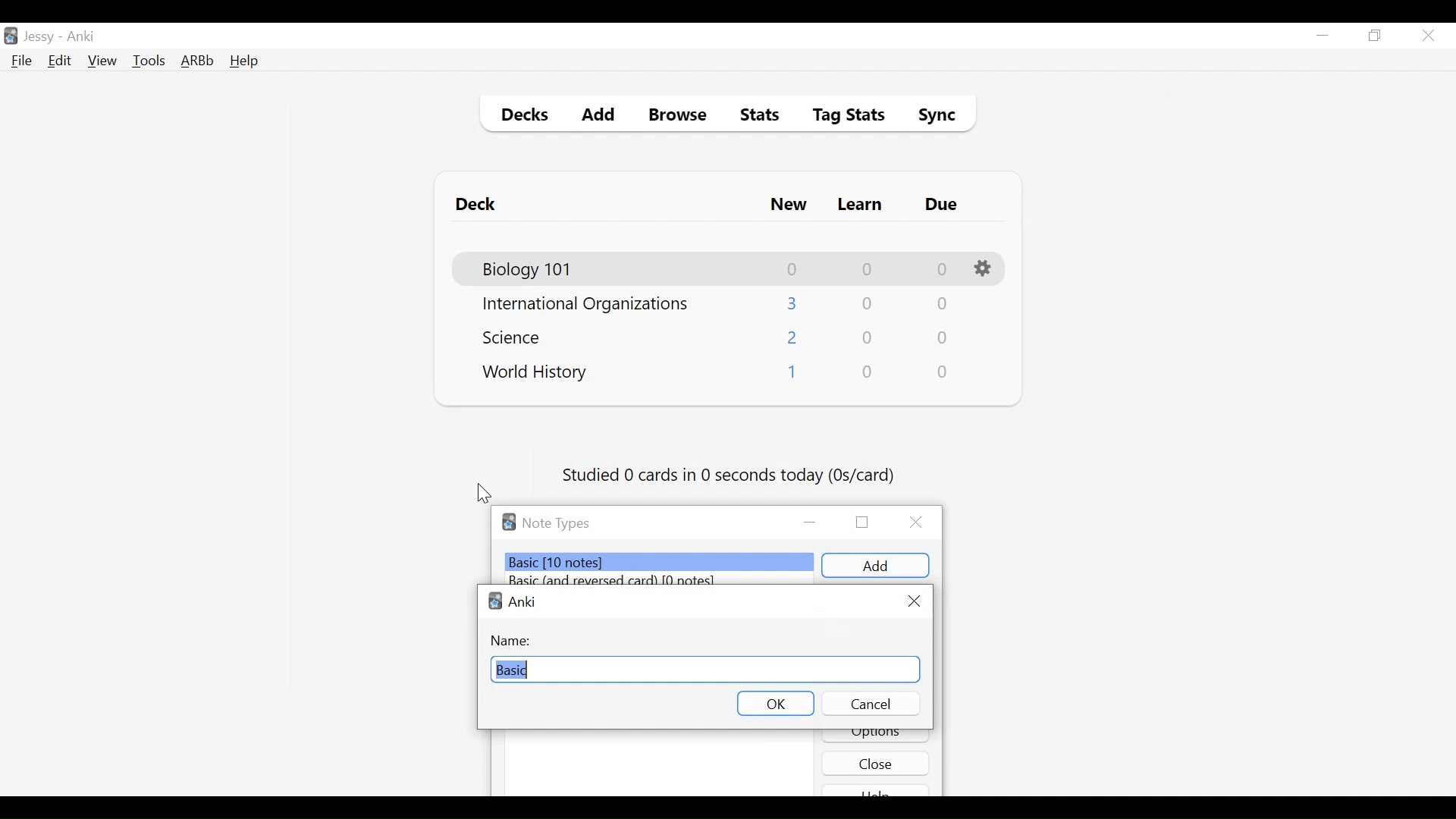 Image resolution: width=1456 pixels, height=819 pixels. What do you see at coordinates (58, 62) in the screenshot?
I see `Edit` at bounding box center [58, 62].